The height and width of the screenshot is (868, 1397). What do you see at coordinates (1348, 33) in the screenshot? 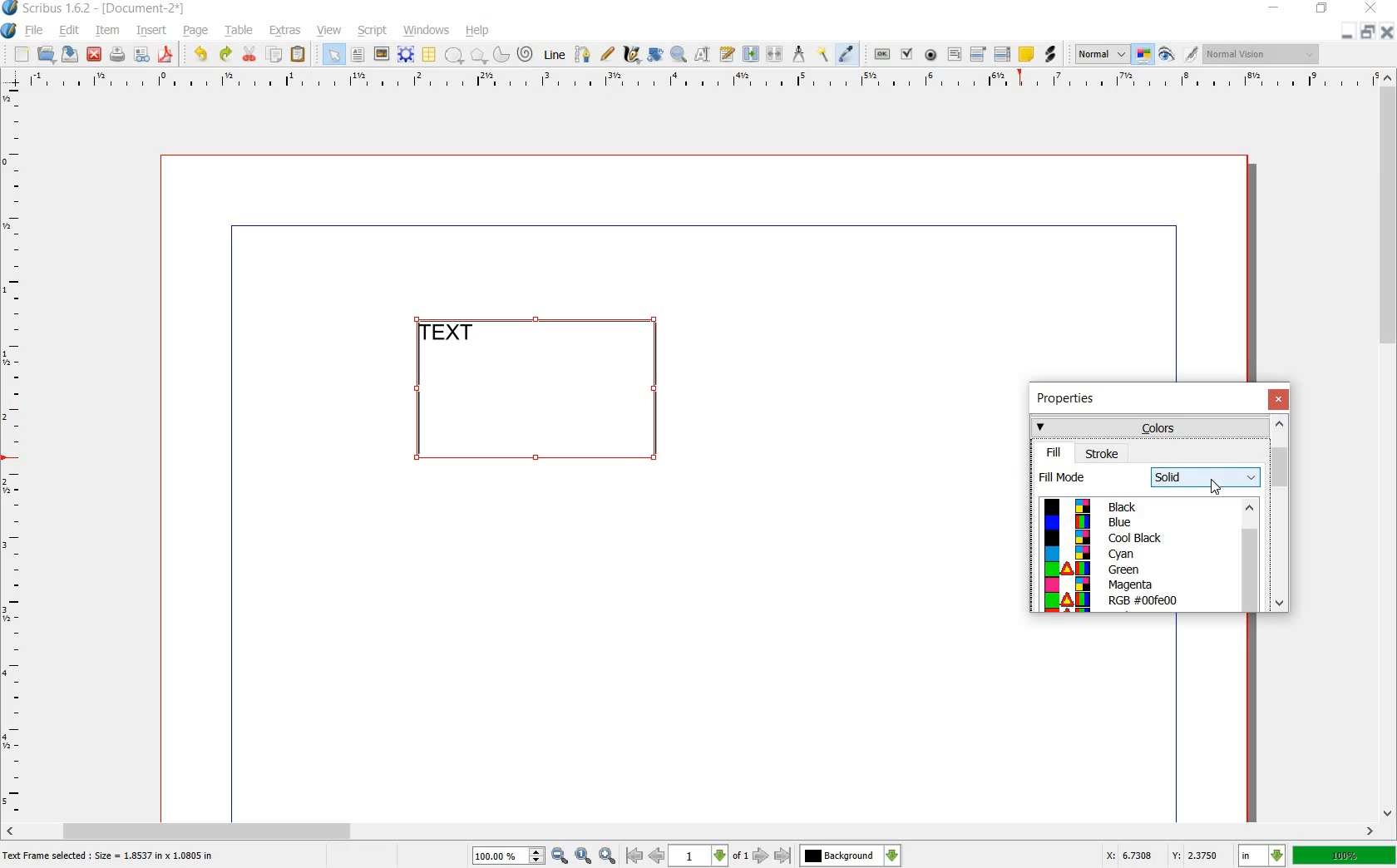
I see `minimize` at bounding box center [1348, 33].